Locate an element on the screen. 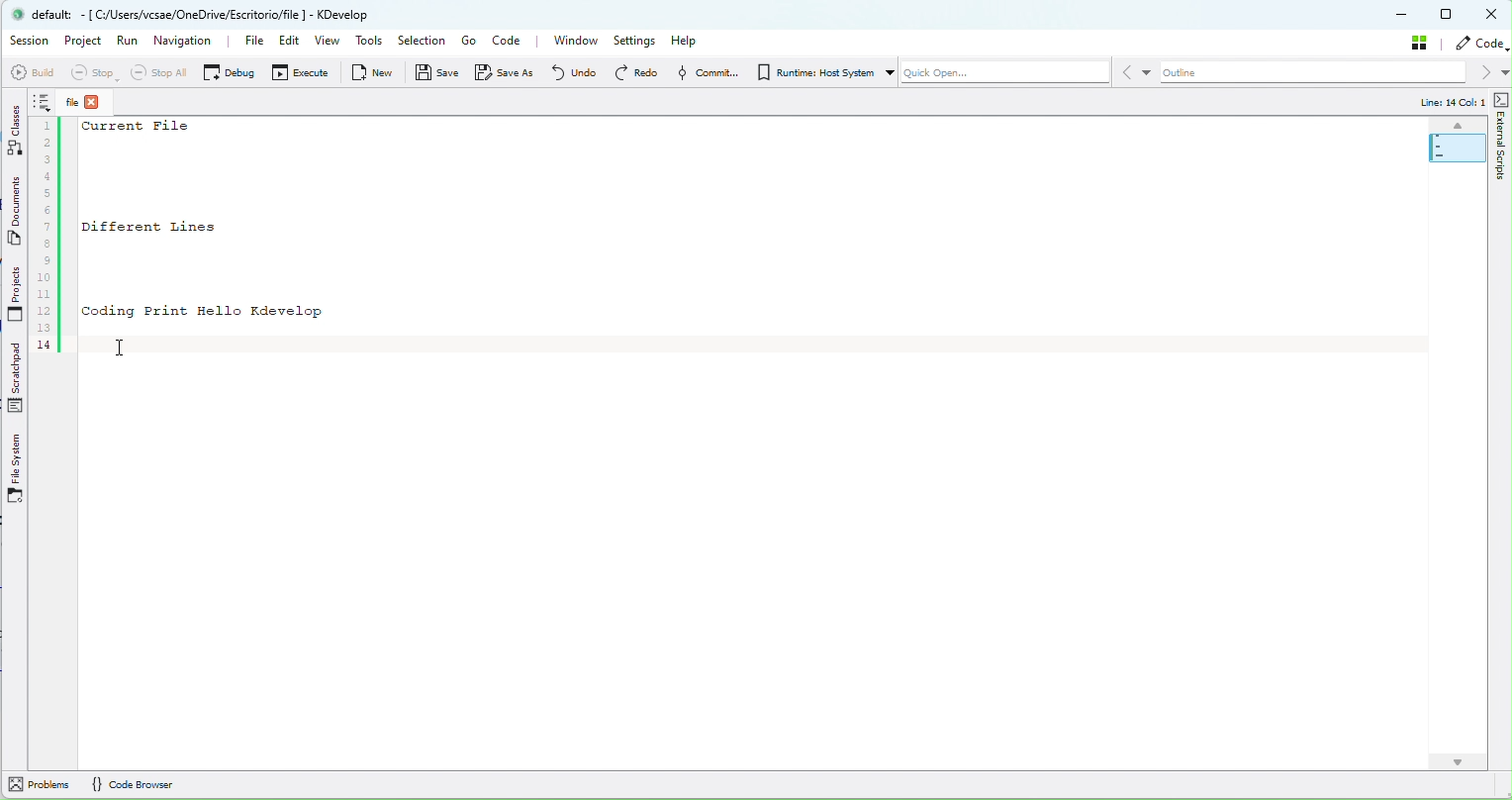 The width and height of the screenshot is (1512, 800). Execute is located at coordinates (303, 75).